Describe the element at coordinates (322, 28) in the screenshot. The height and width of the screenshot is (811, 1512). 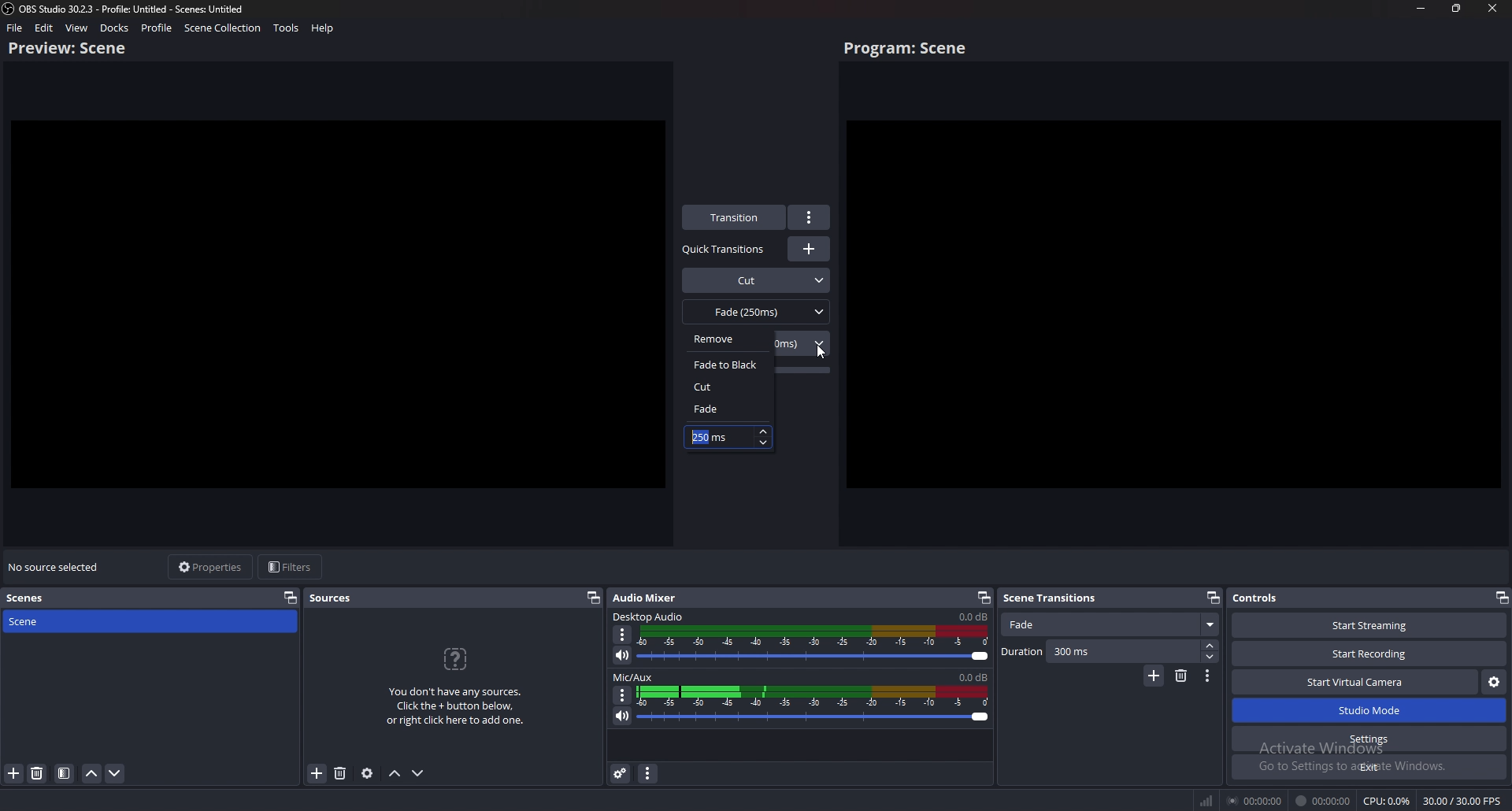
I see `help` at that location.